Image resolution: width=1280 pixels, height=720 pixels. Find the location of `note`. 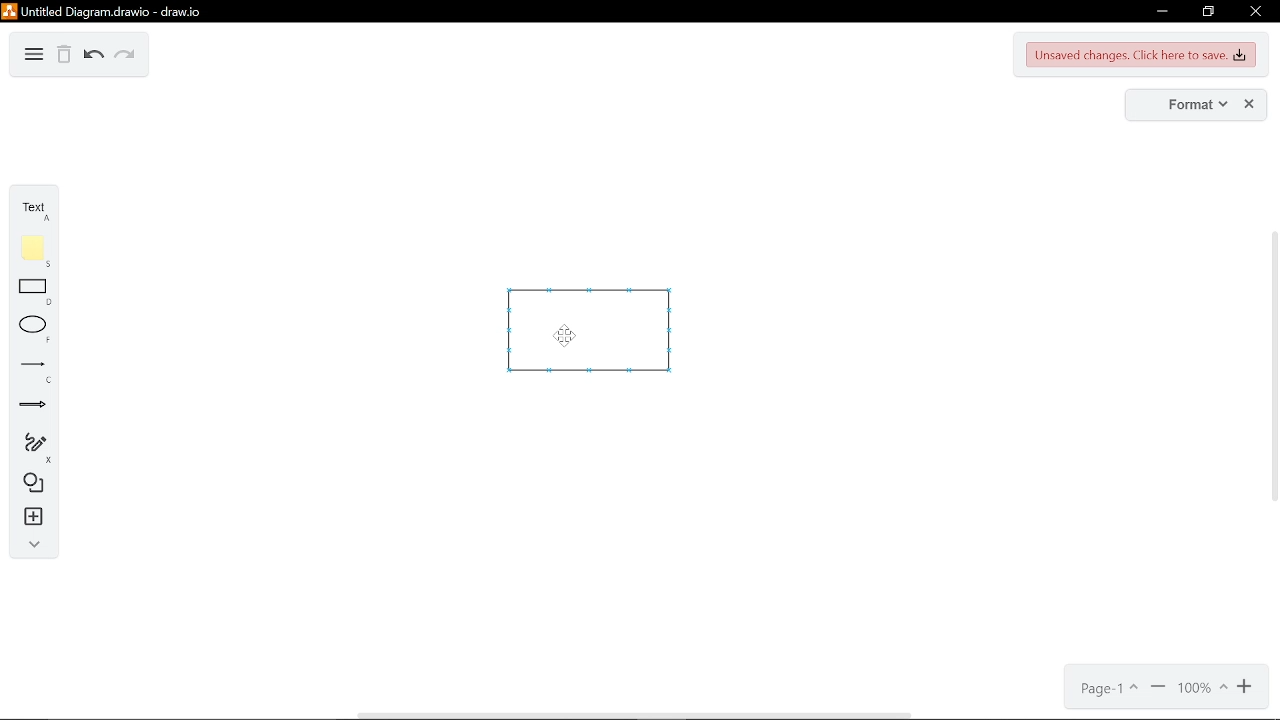

note is located at coordinates (37, 251).